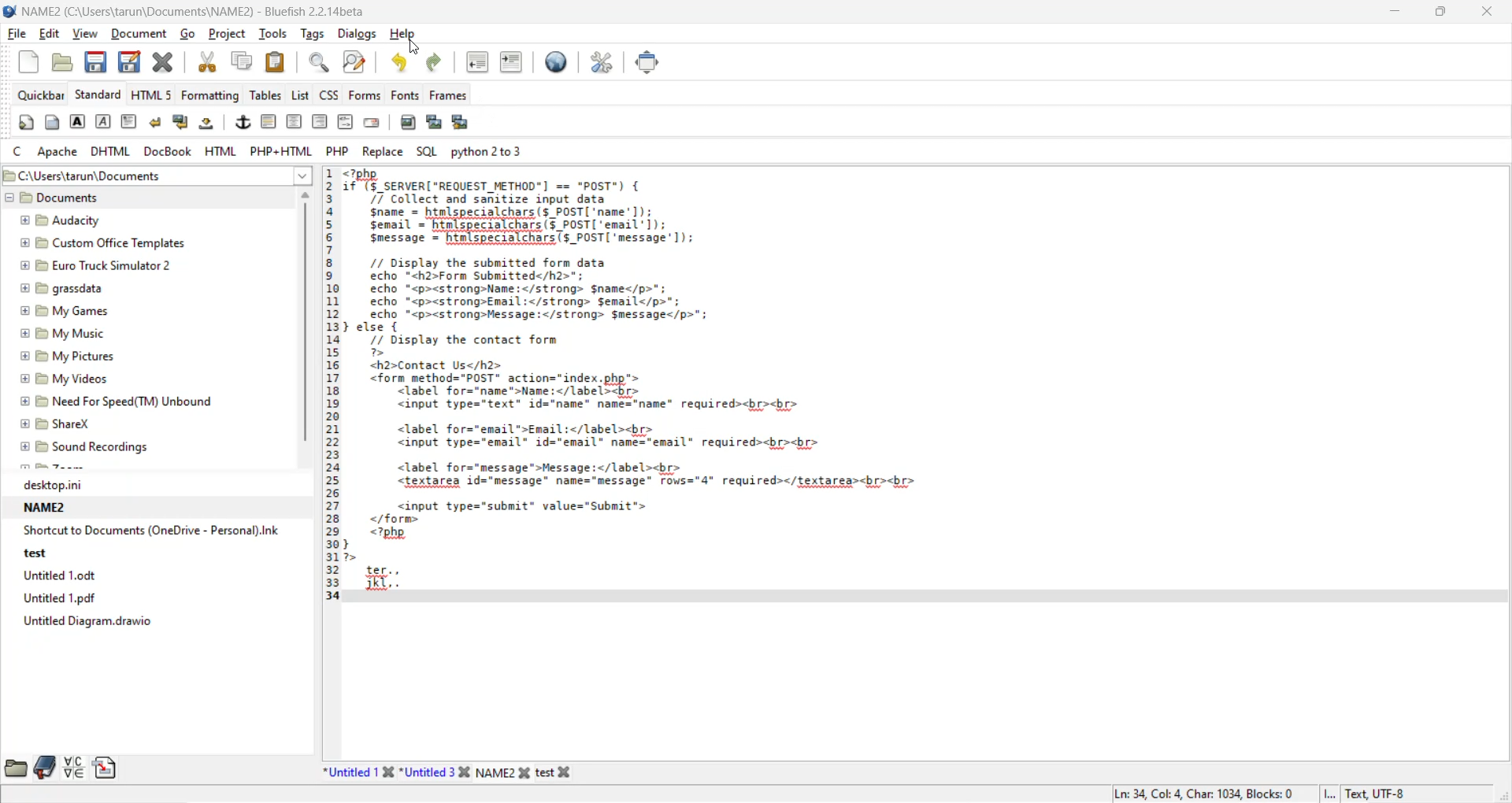  What do you see at coordinates (383, 150) in the screenshot?
I see `replace` at bounding box center [383, 150].